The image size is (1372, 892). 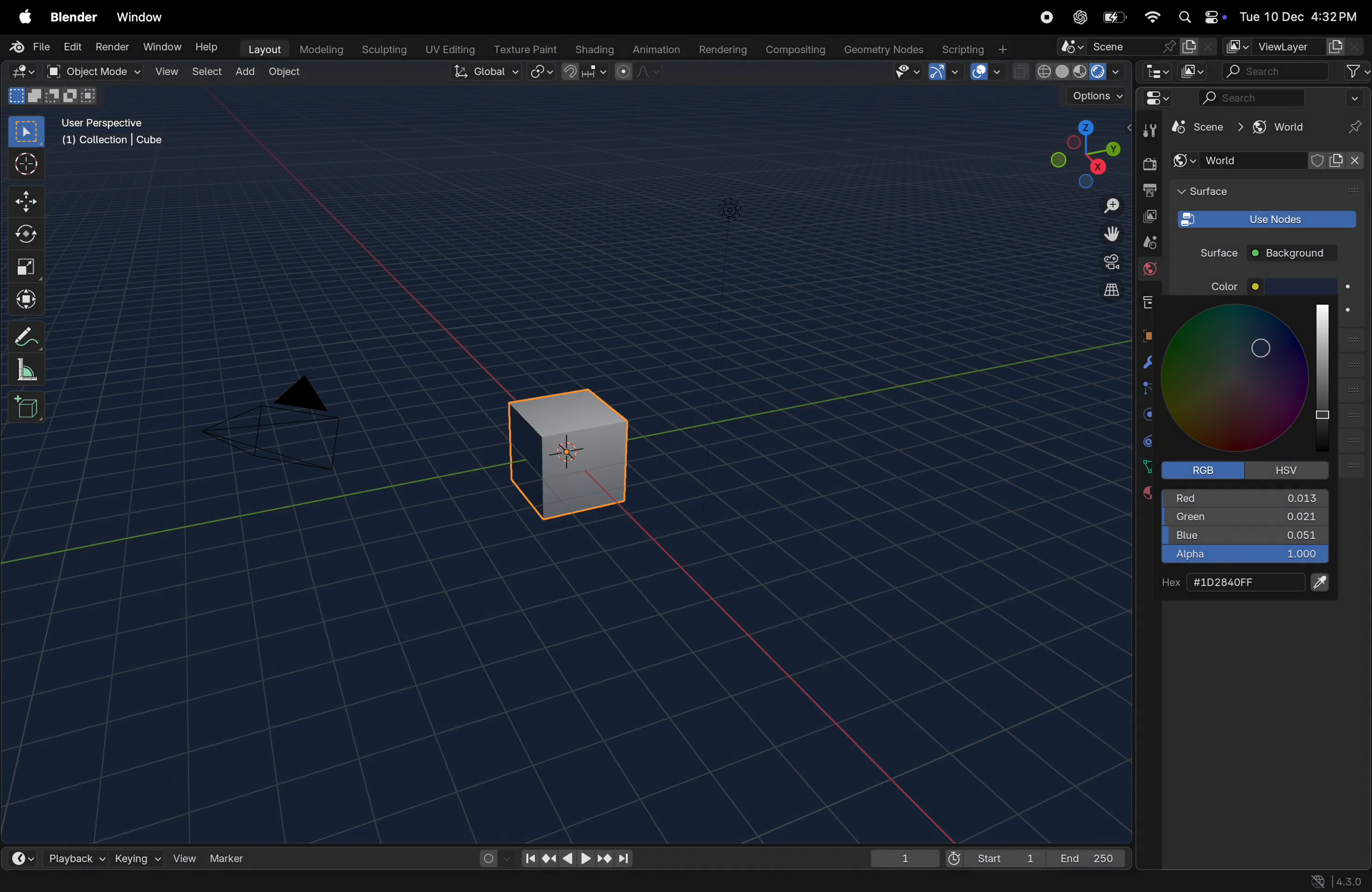 What do you see at coordinates (28, 200) in the screenshot?
I see `move` at bounding box center [28, 200].